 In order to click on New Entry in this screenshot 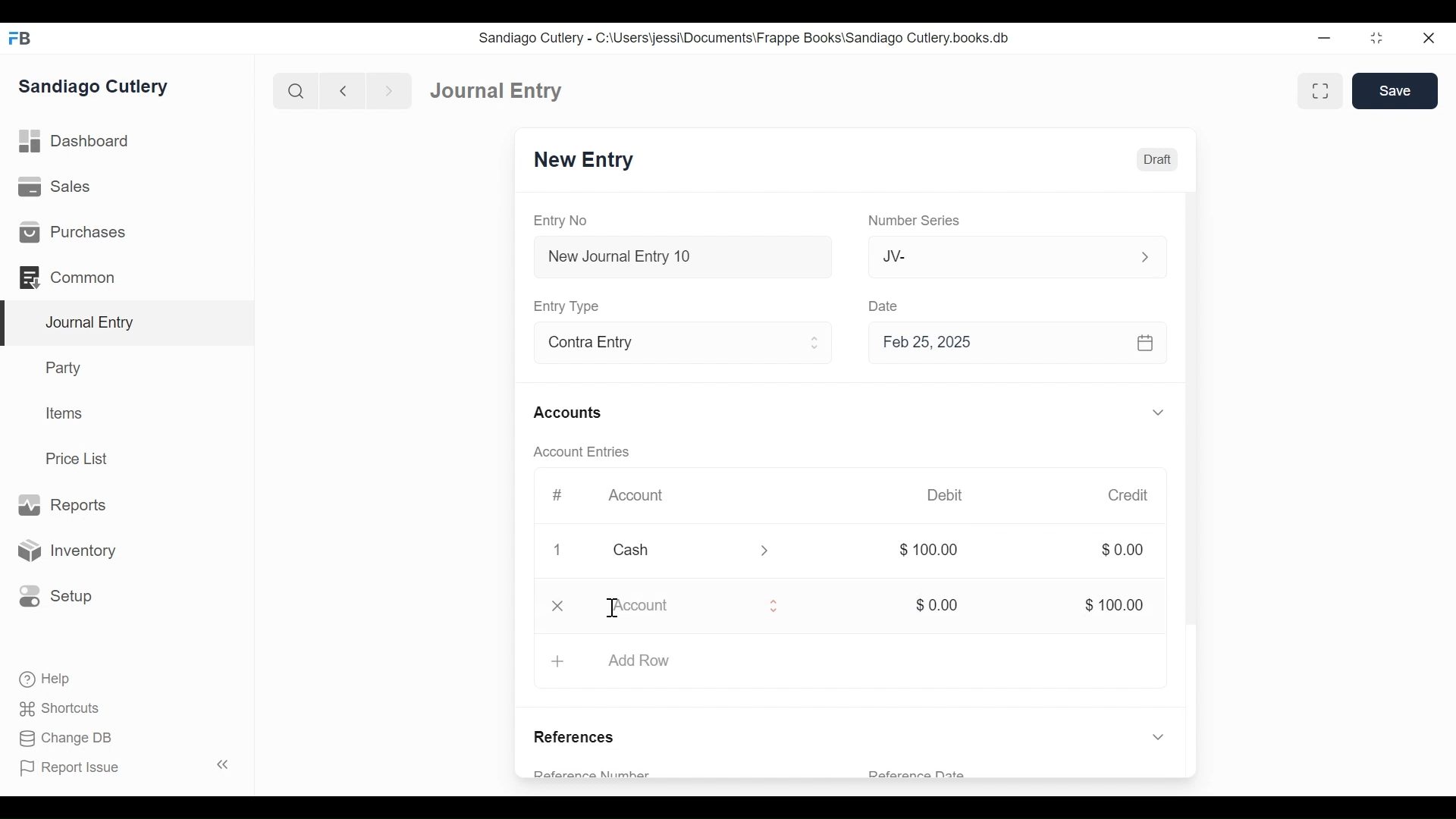, I will do `click(588, 162)`.